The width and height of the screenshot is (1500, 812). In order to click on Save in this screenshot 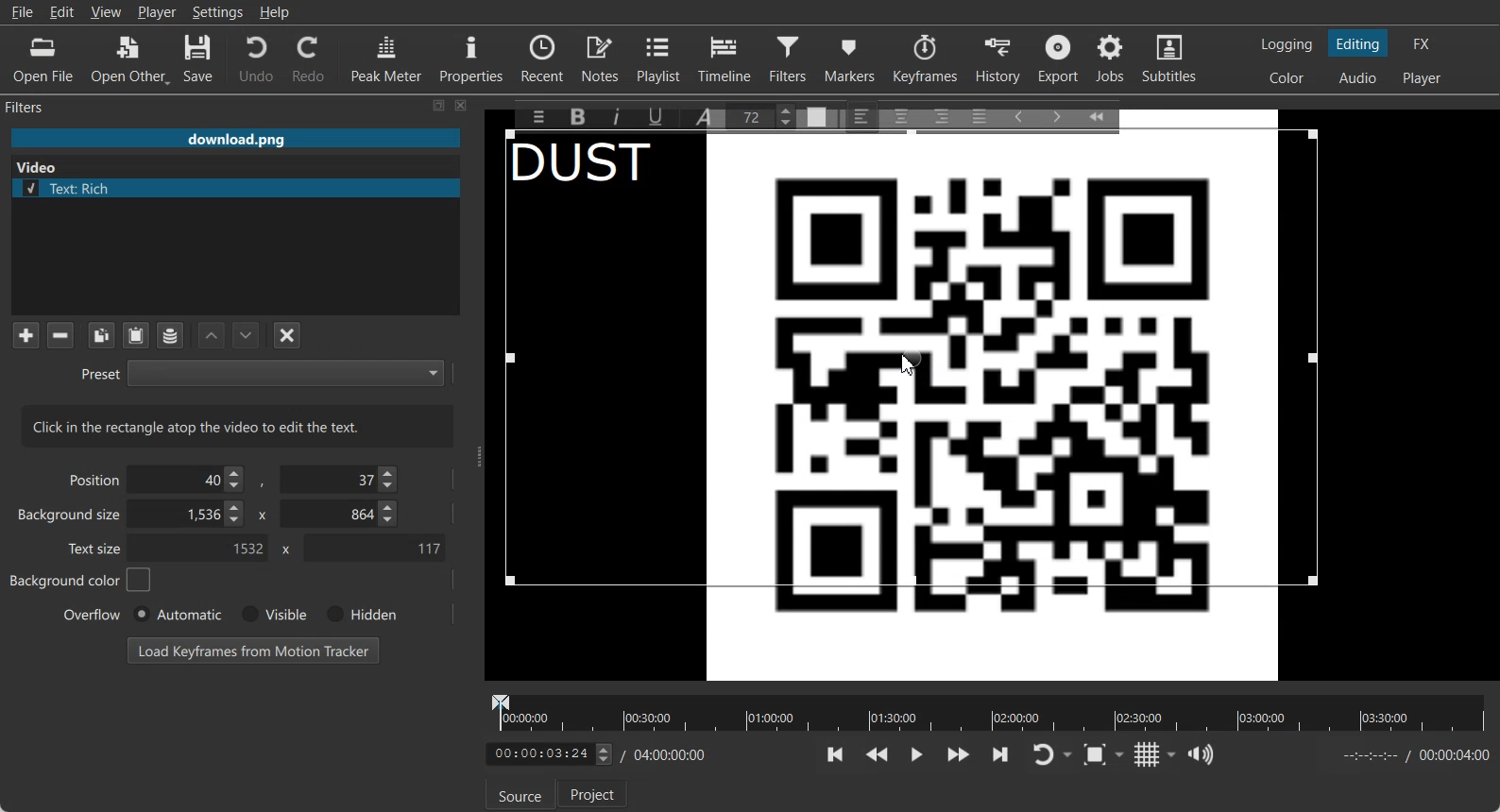, I will do `click(198, 59)`.